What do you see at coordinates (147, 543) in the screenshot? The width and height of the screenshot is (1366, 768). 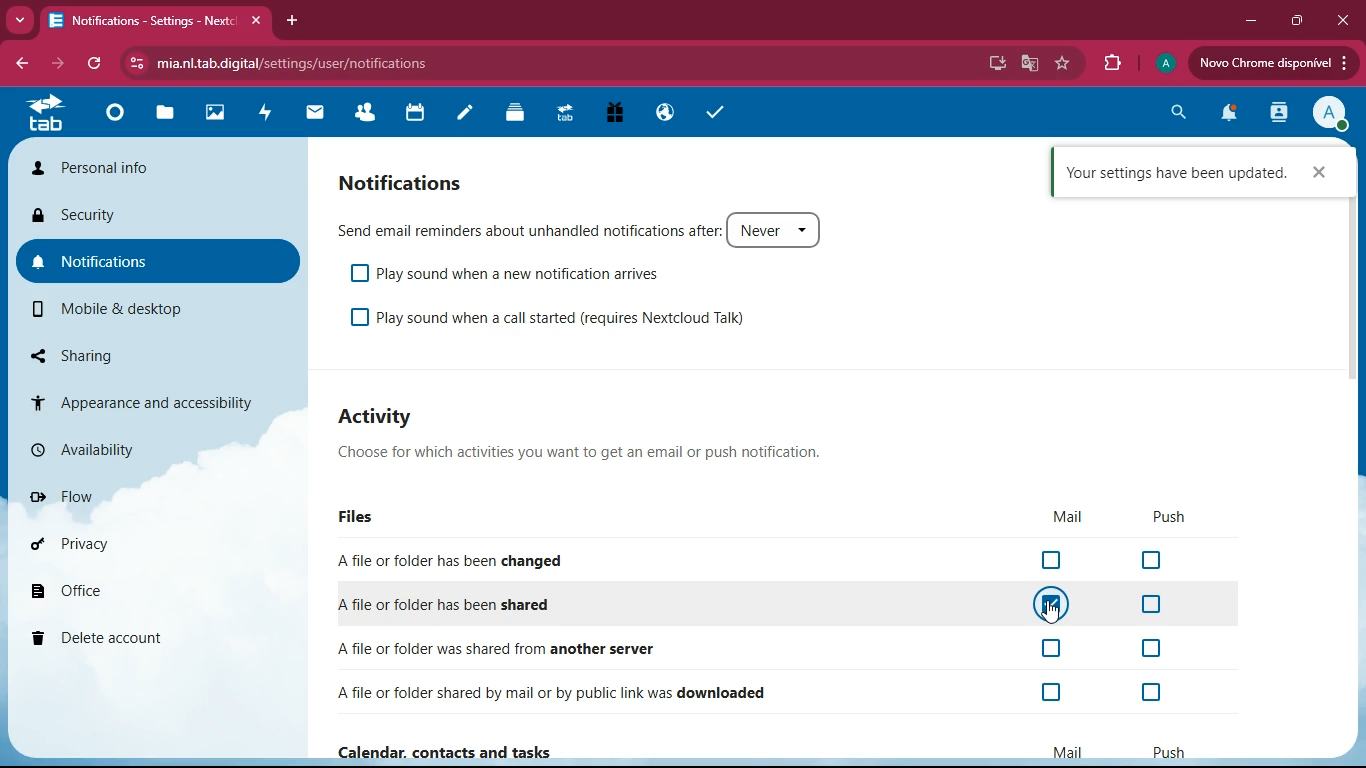 I see `privacy` at bounding box center [147, 543].